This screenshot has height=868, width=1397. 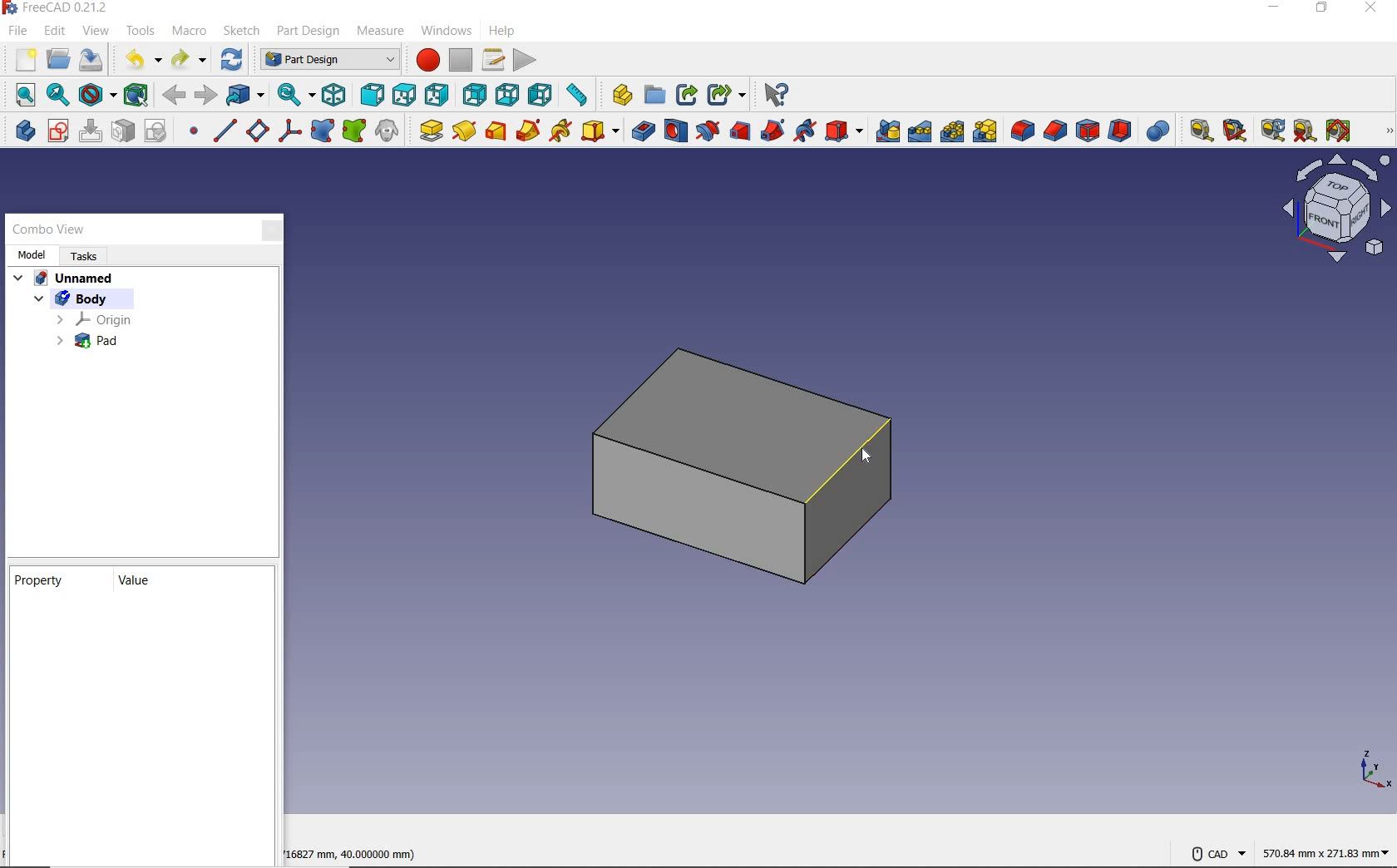 What do you see at coordinates (378, 31) in the screenshot?
I see `measure` at bounding box center [378, 31].